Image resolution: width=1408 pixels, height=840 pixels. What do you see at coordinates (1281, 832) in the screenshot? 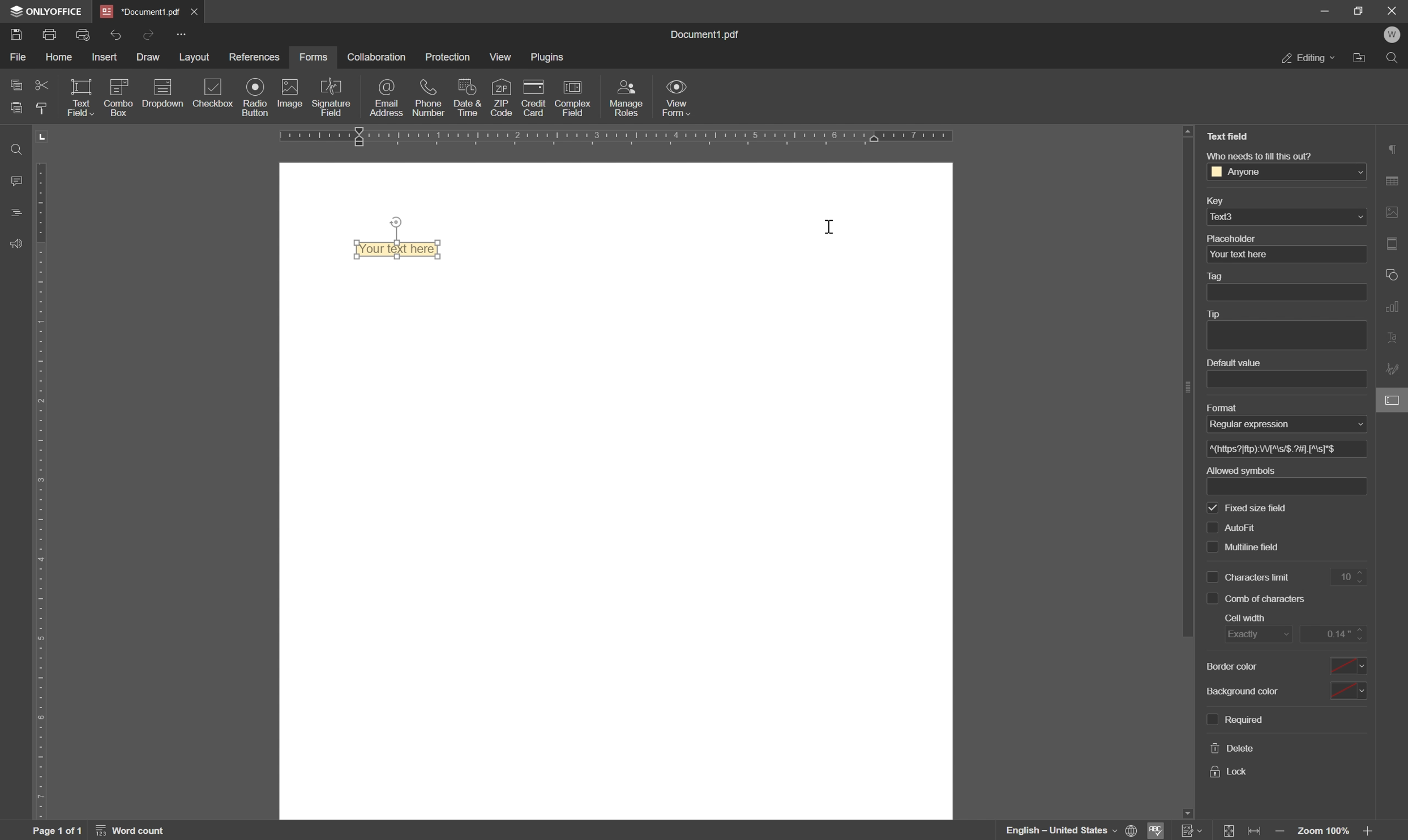
I see `zoom out` at bounding box center [1281, 832].